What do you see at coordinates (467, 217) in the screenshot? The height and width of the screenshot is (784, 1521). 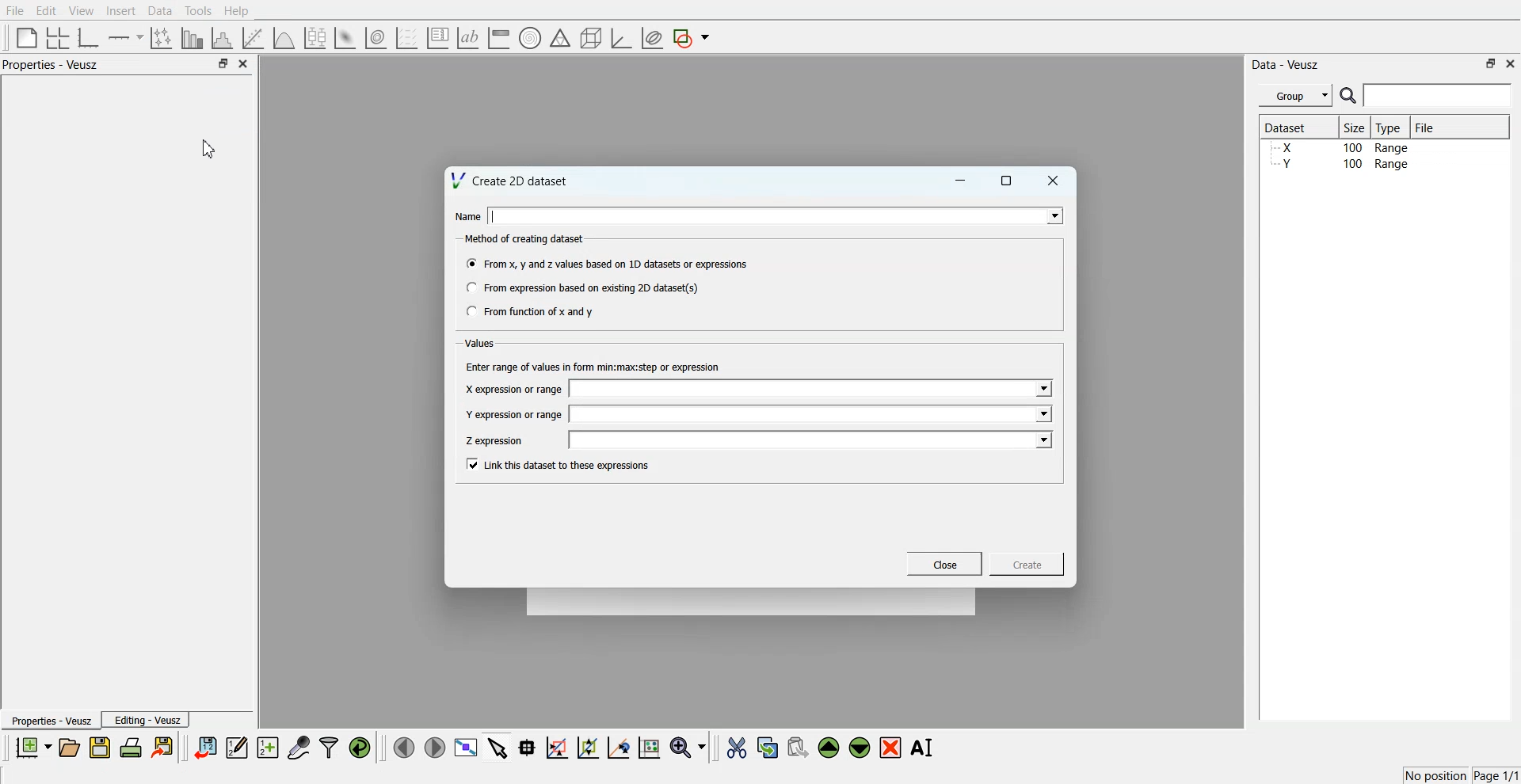 I see `‘Name` at bounding box center [467, 217].